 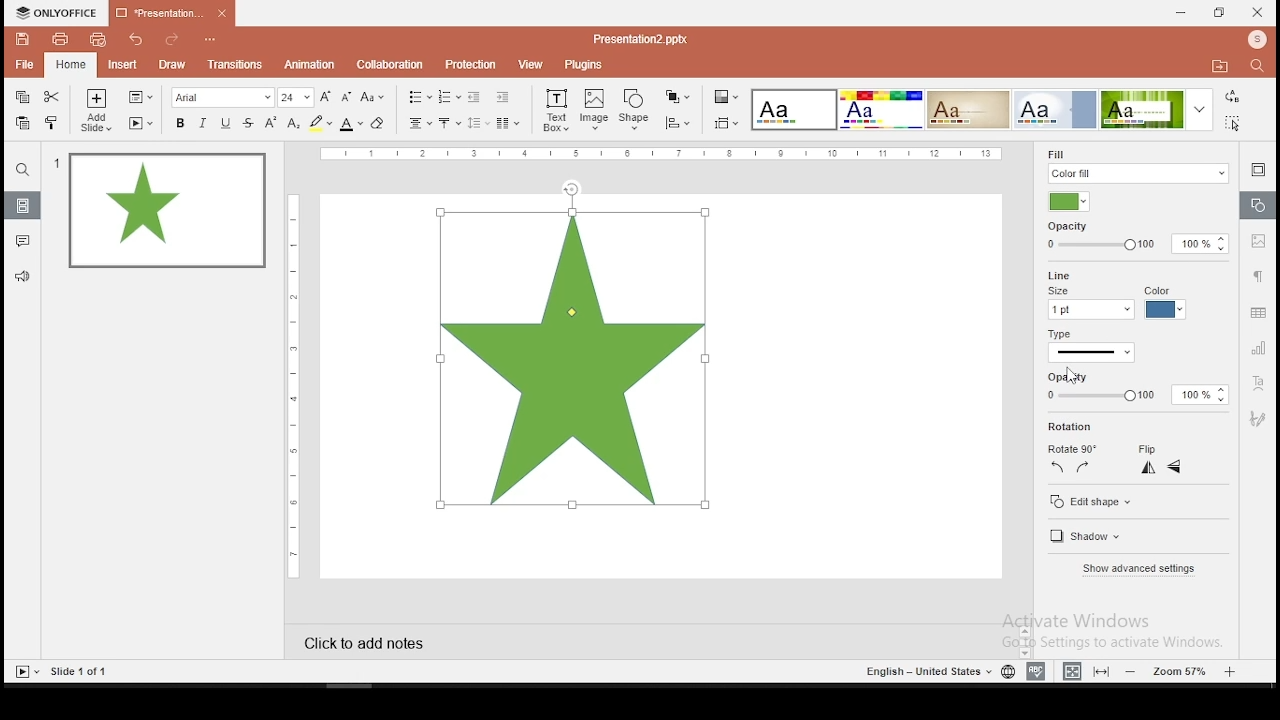 I want to click on close window, so click(x=1258, y=12).